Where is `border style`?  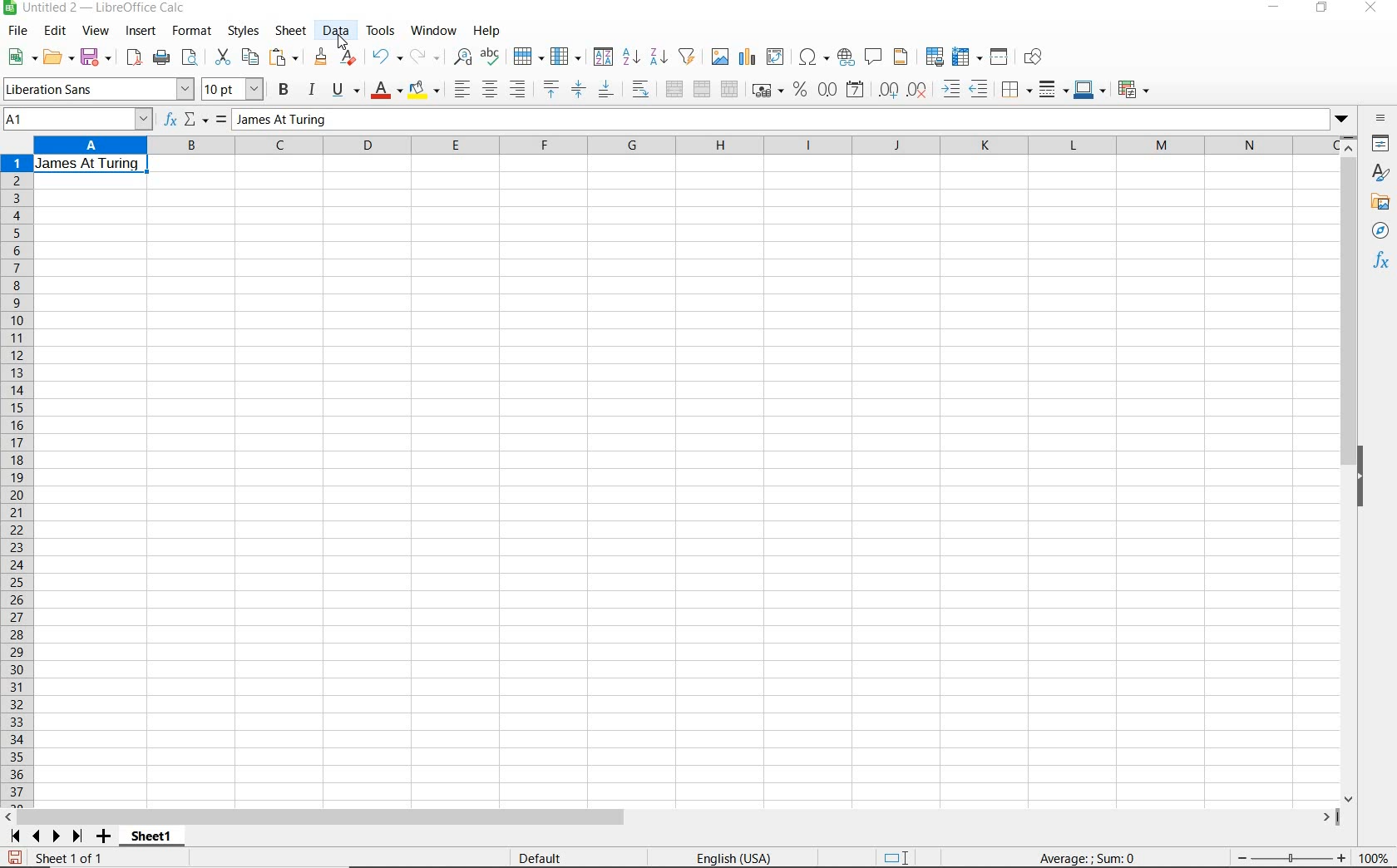
border style is located at coordinates (1018, 88).